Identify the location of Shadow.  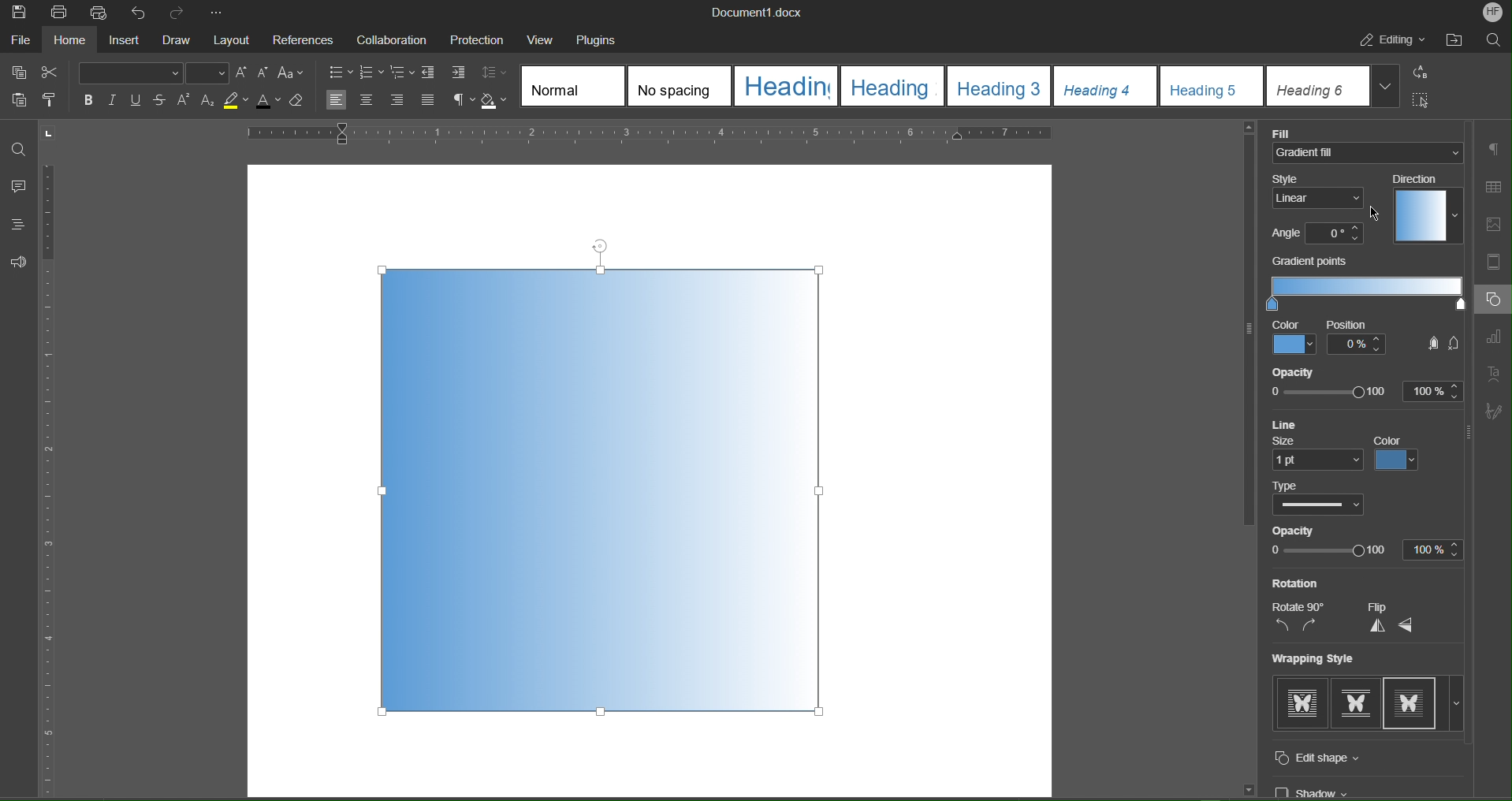
(497, 102).